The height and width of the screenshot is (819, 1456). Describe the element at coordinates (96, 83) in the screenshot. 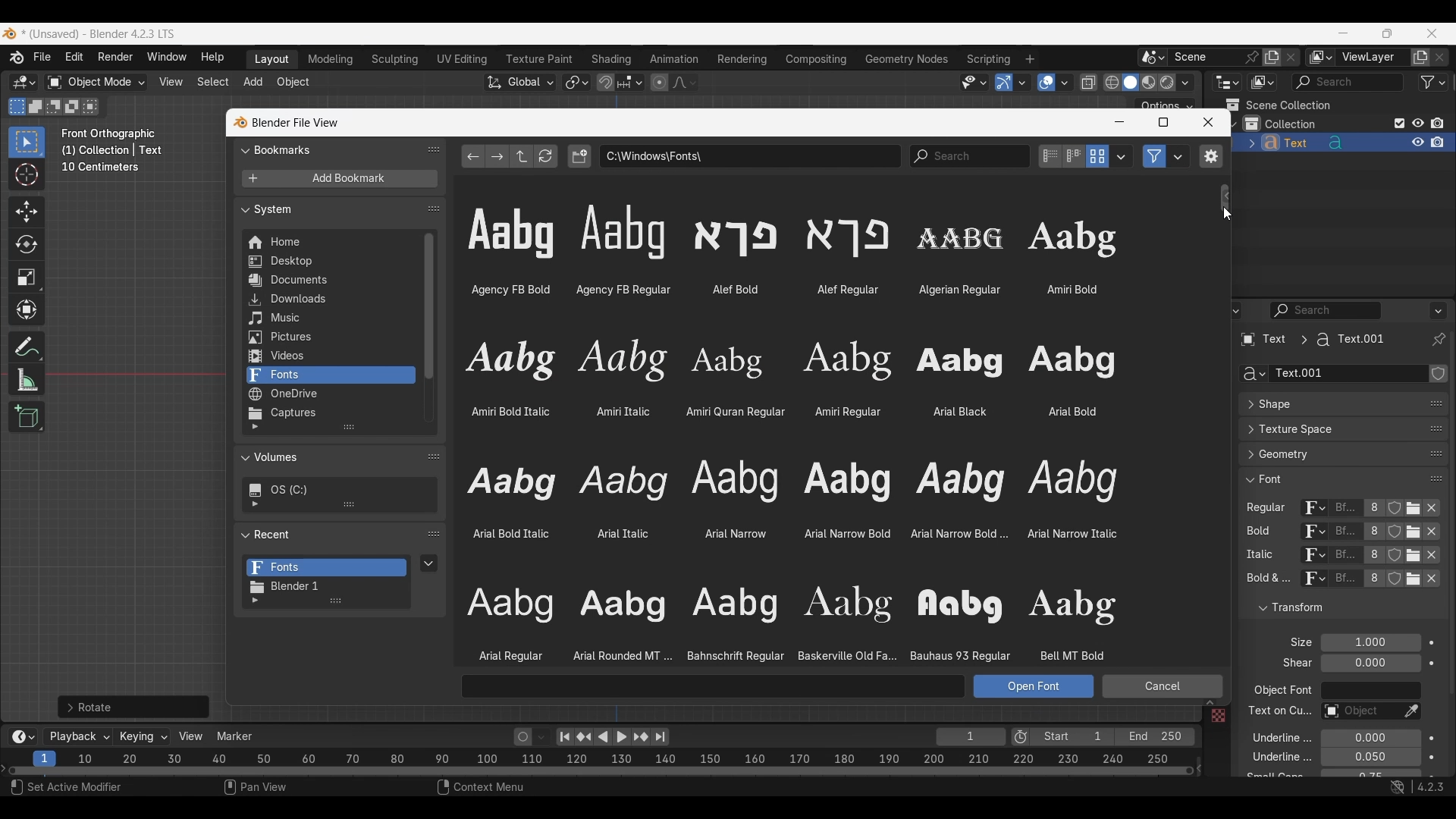

I see `Sets the object interaction mode` at that location.